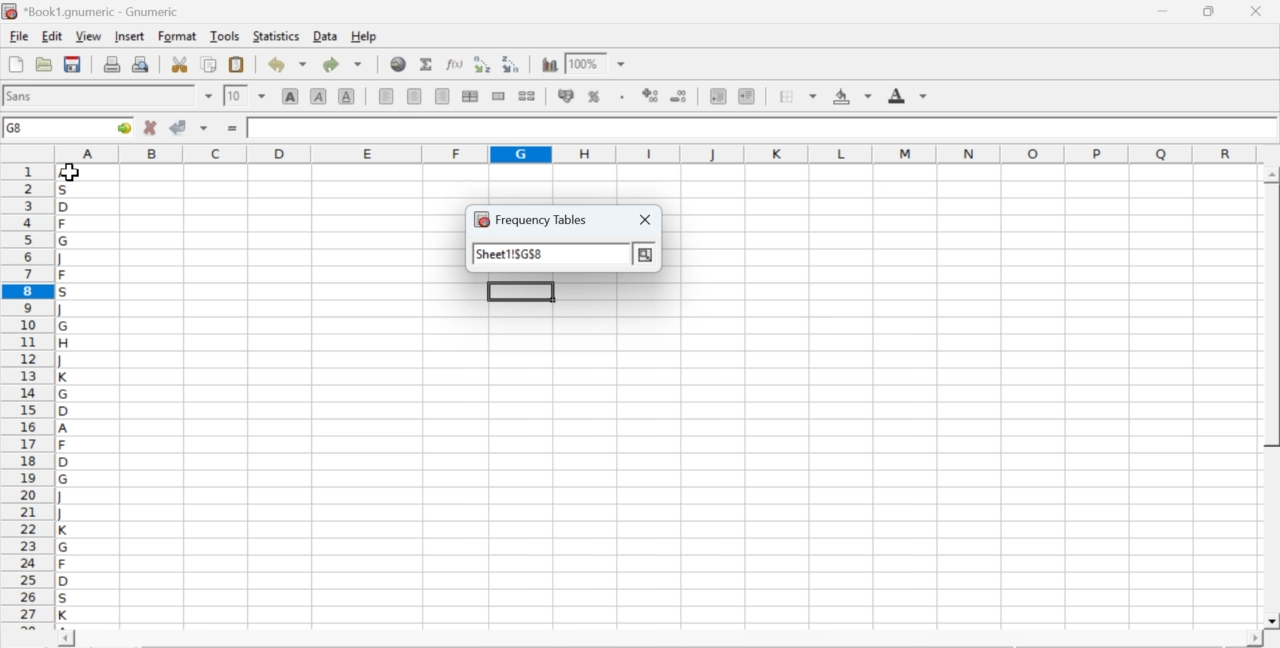 This screenshot has width=1280, height=648. I want to click on background, so click(854, 96).